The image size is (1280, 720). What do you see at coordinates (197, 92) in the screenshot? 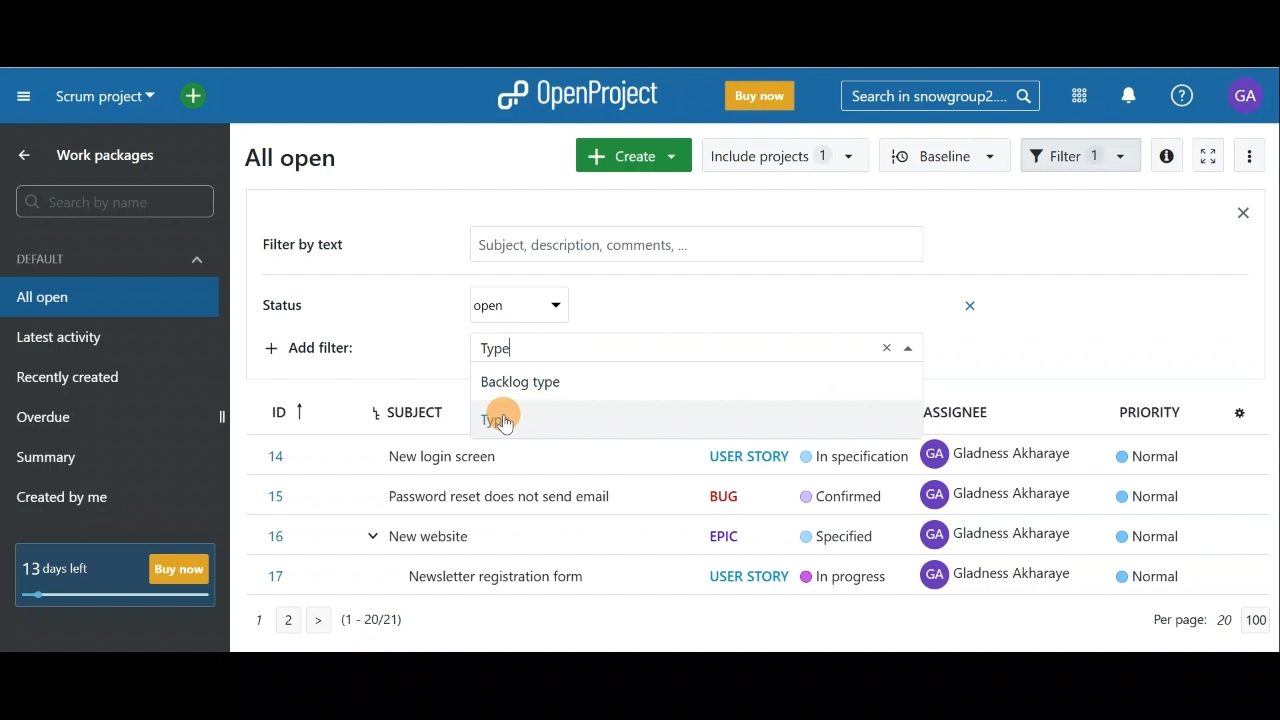
I see `Open quick add menu` at bounding box center [197, 92].